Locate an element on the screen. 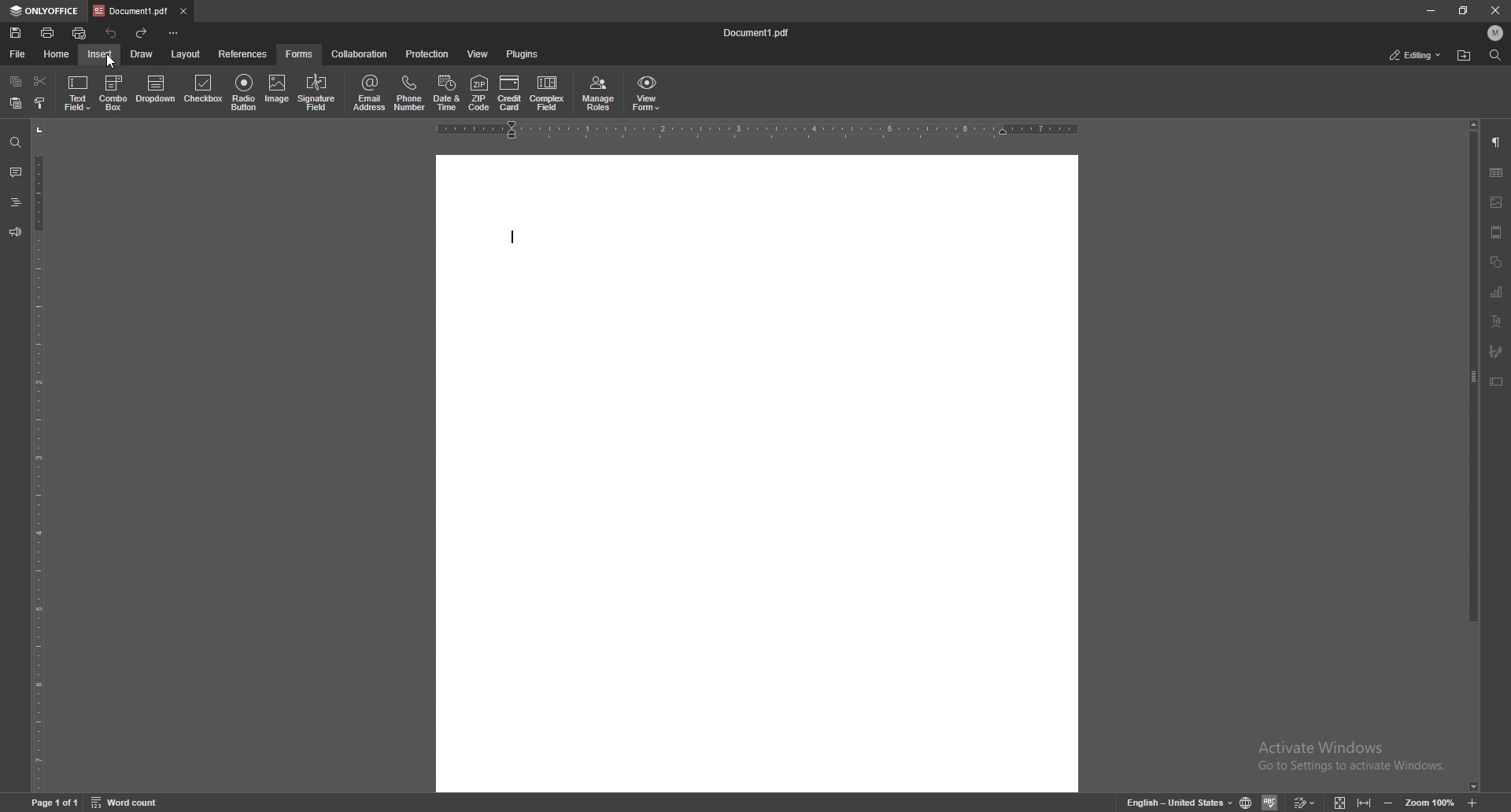 Image resolution: width=1511 pixels, height=812 pixels. find is located at coordinates (1496, 56).